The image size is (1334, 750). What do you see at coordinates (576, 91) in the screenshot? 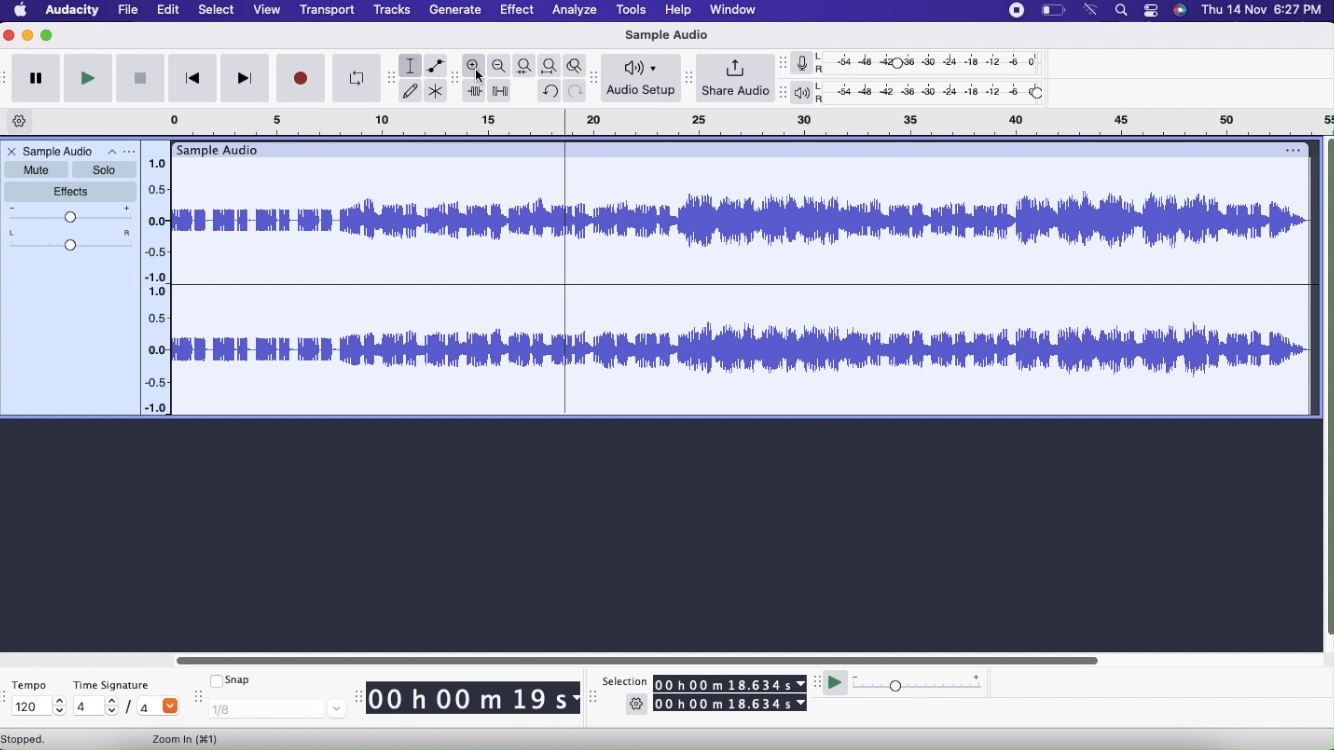
I see `Redo` at bounding box center [576, 91].